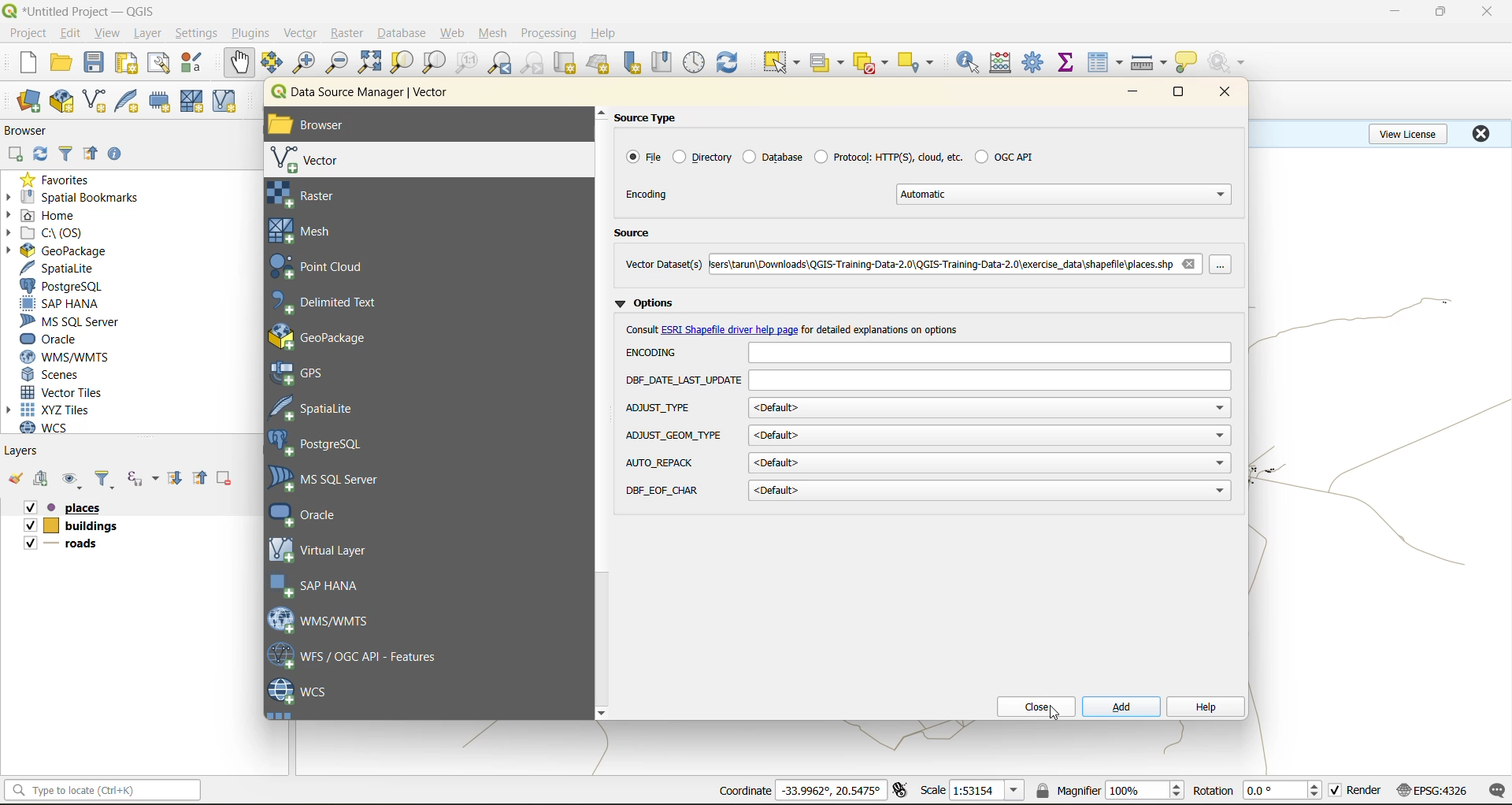 The height and width of the screenshot is (805, 1512). Describe the element at coordinates (327, 268) in the screenshot. I see `point cloud` at that location.